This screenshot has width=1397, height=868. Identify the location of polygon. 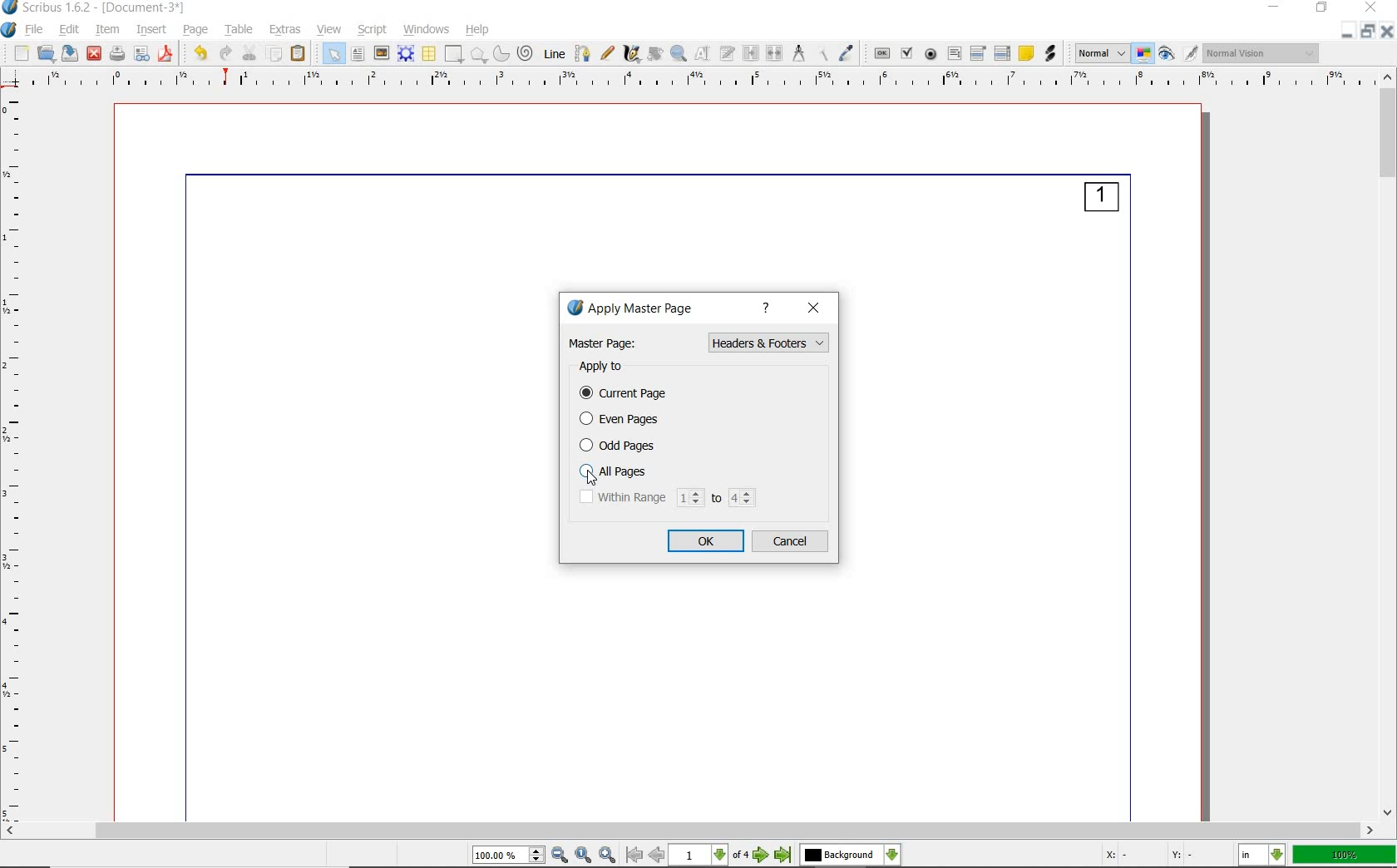
(481, 54).